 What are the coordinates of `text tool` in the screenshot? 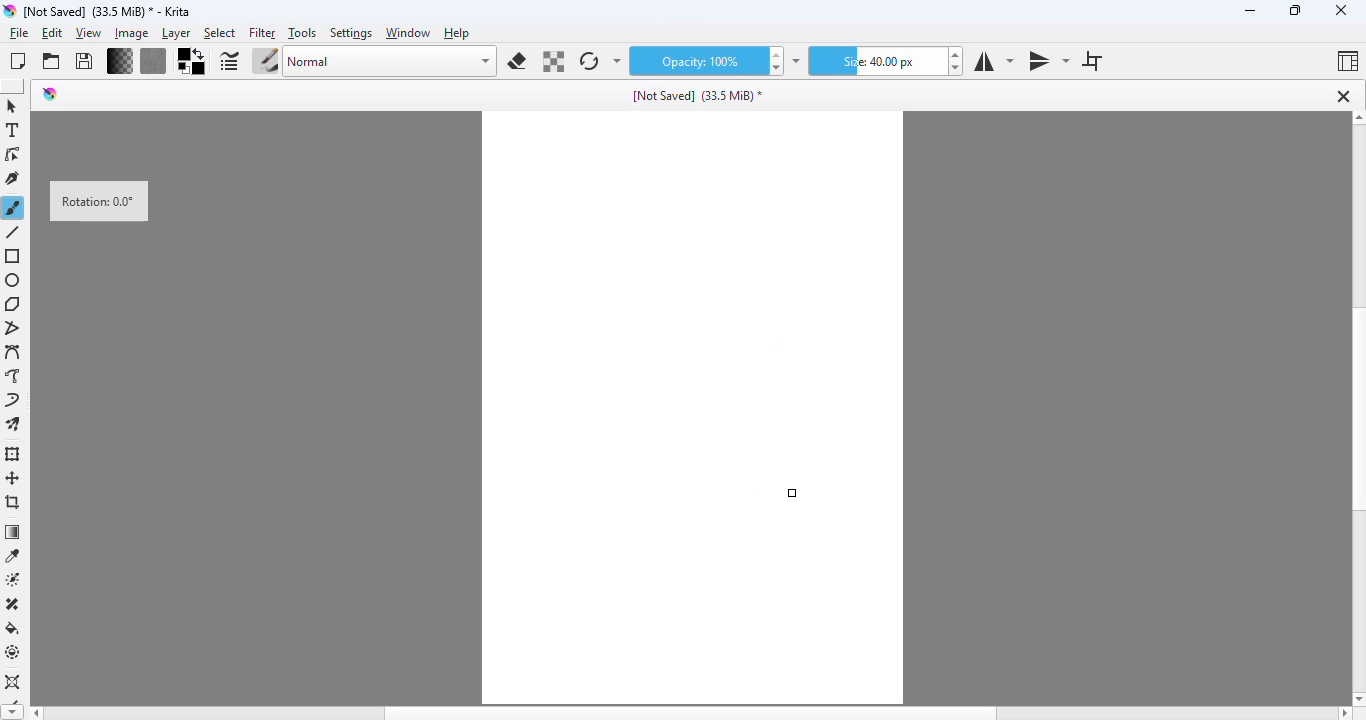 It's located at (13, 130).